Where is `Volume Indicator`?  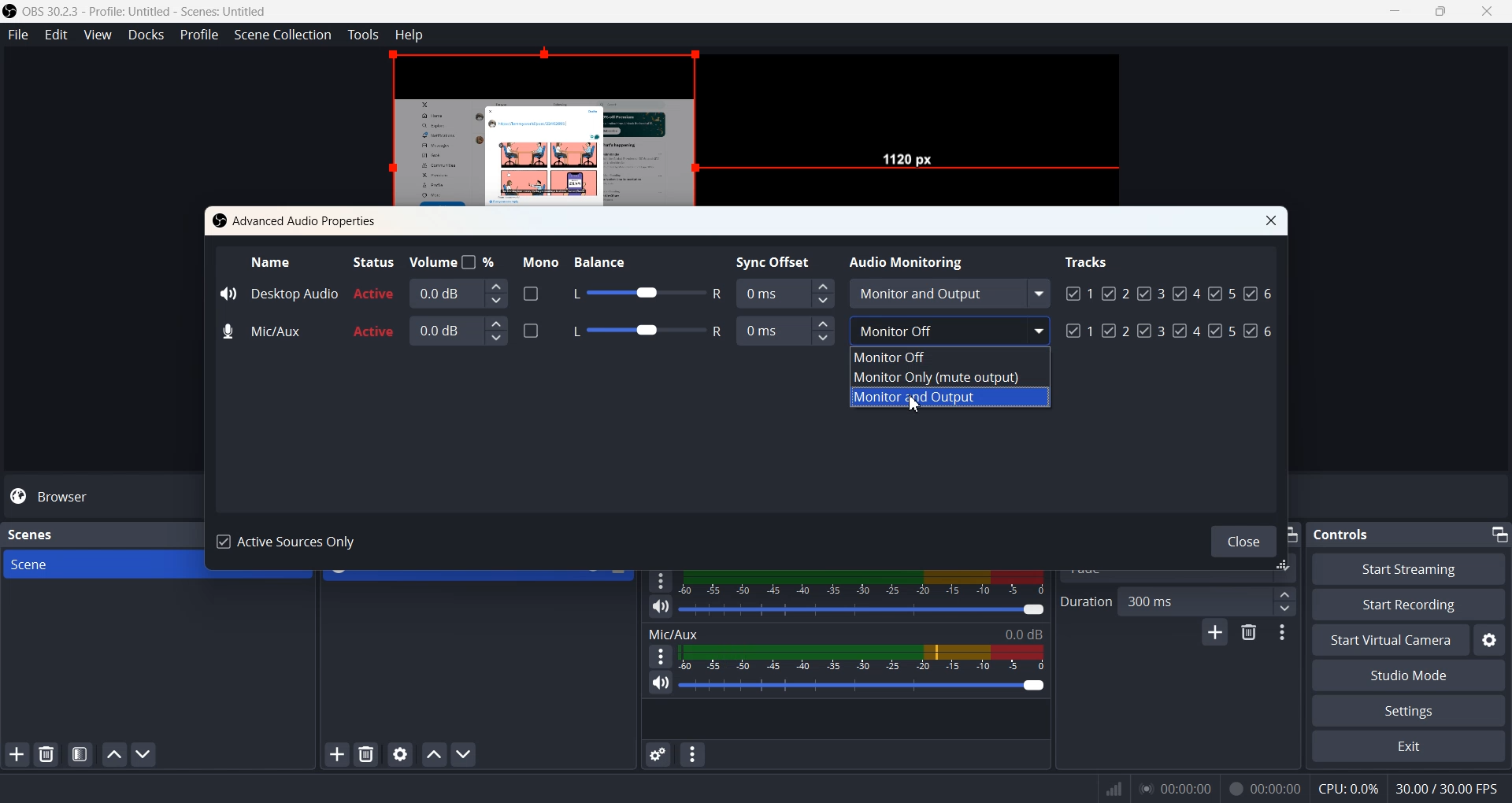 Volume Indicator is located at coordinates (862, 657).